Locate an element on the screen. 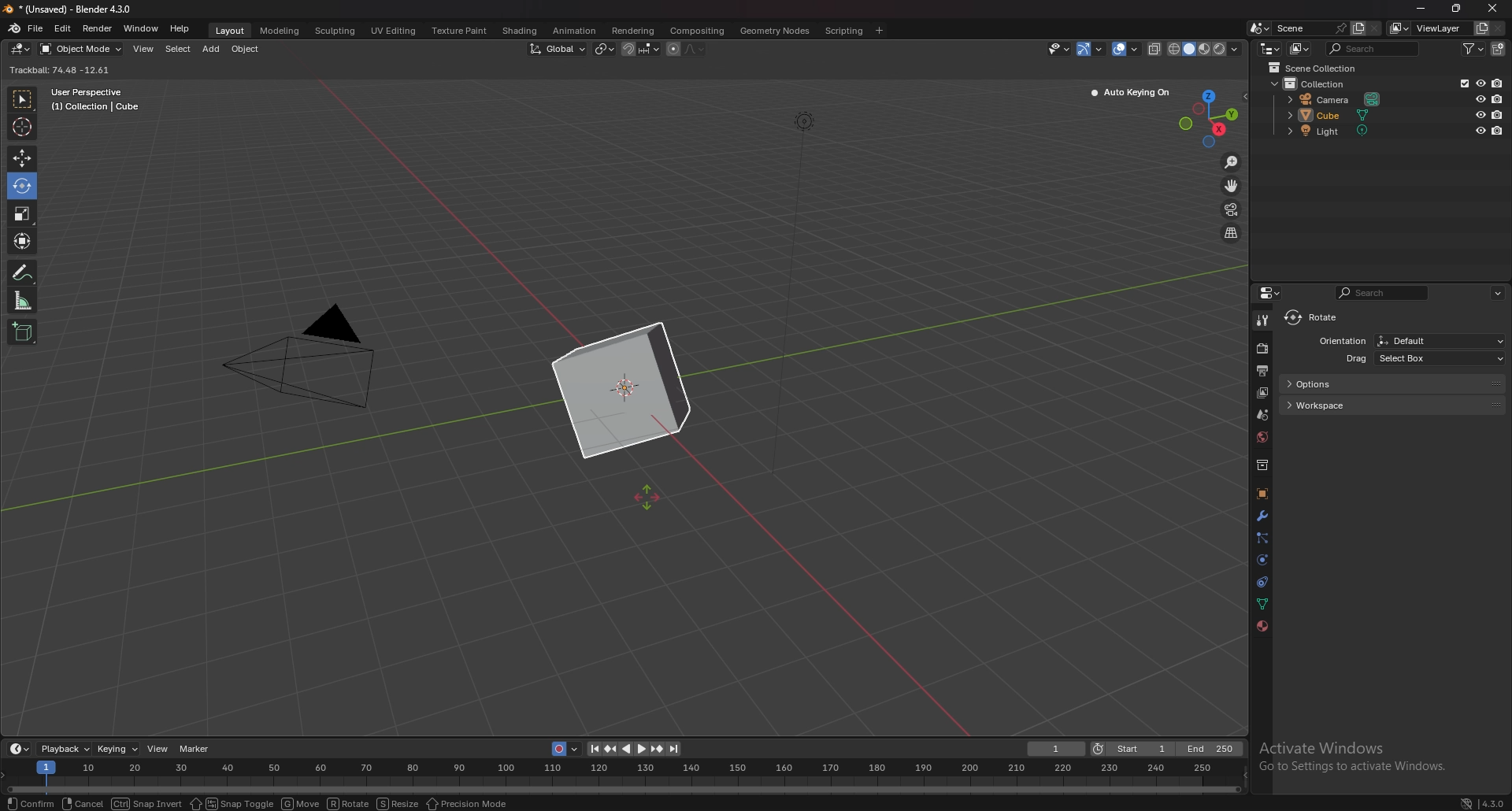  scene collection is located at coordinates (1317, 68).